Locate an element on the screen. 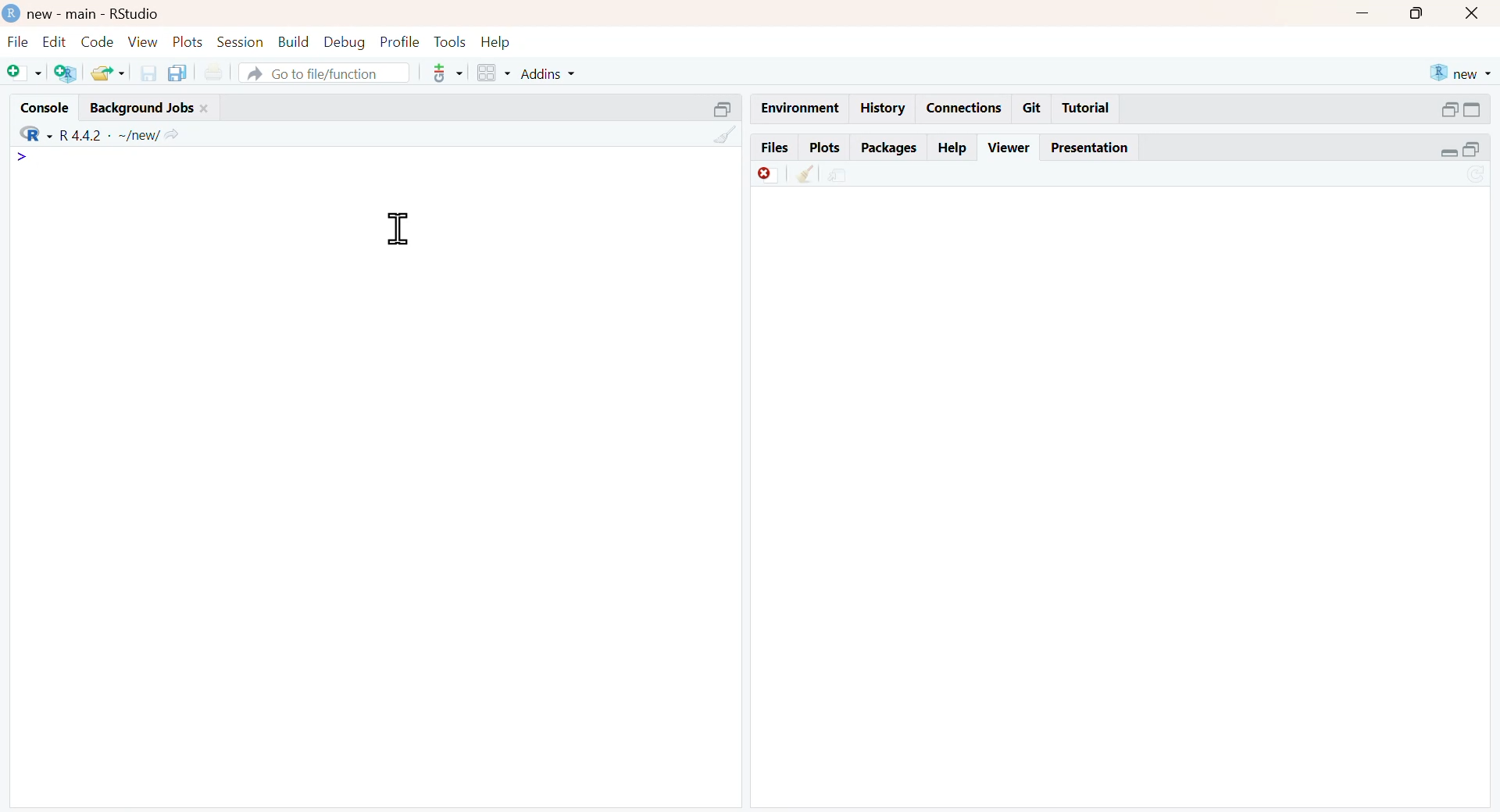  Create new project is located at coordinates (63, 73).